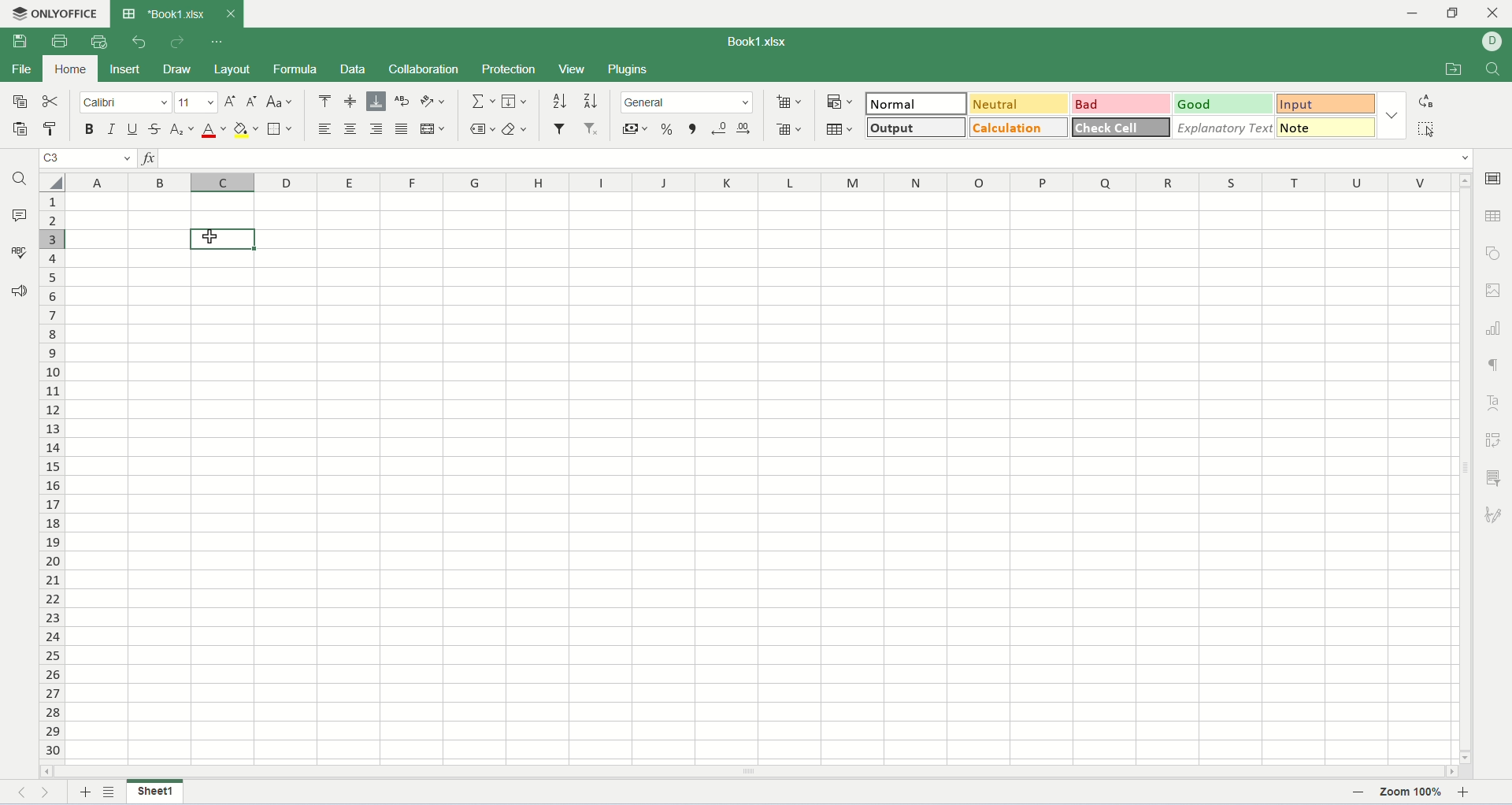 Image resolution: width=1512 pixels, height=805 pixels. I want to click on view, so click(573, 68).